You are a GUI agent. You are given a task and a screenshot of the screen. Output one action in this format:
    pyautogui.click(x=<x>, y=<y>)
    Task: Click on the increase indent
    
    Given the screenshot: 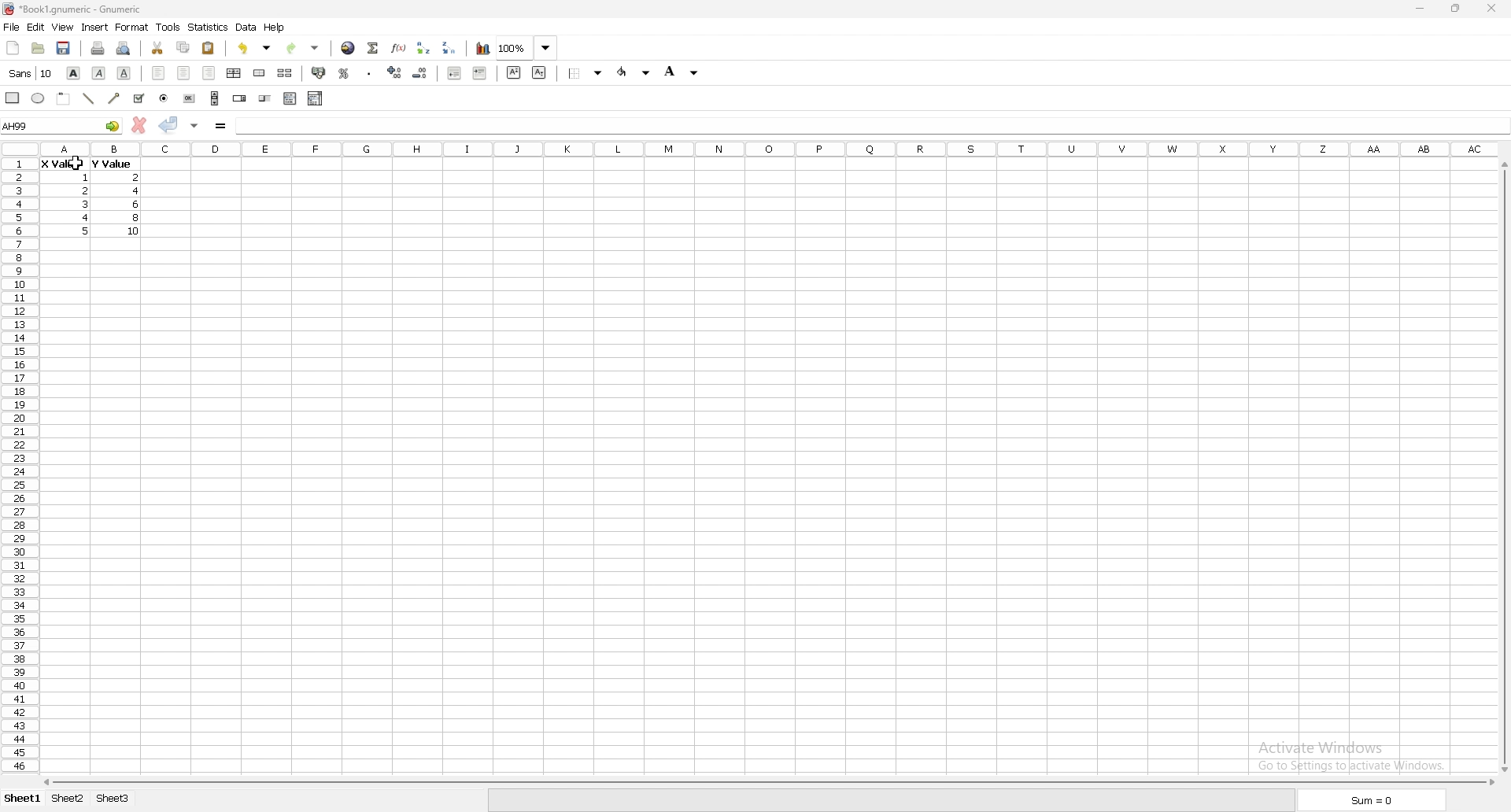 What is the action you would take?
    pyautogui.click(x=480, y=72)
    